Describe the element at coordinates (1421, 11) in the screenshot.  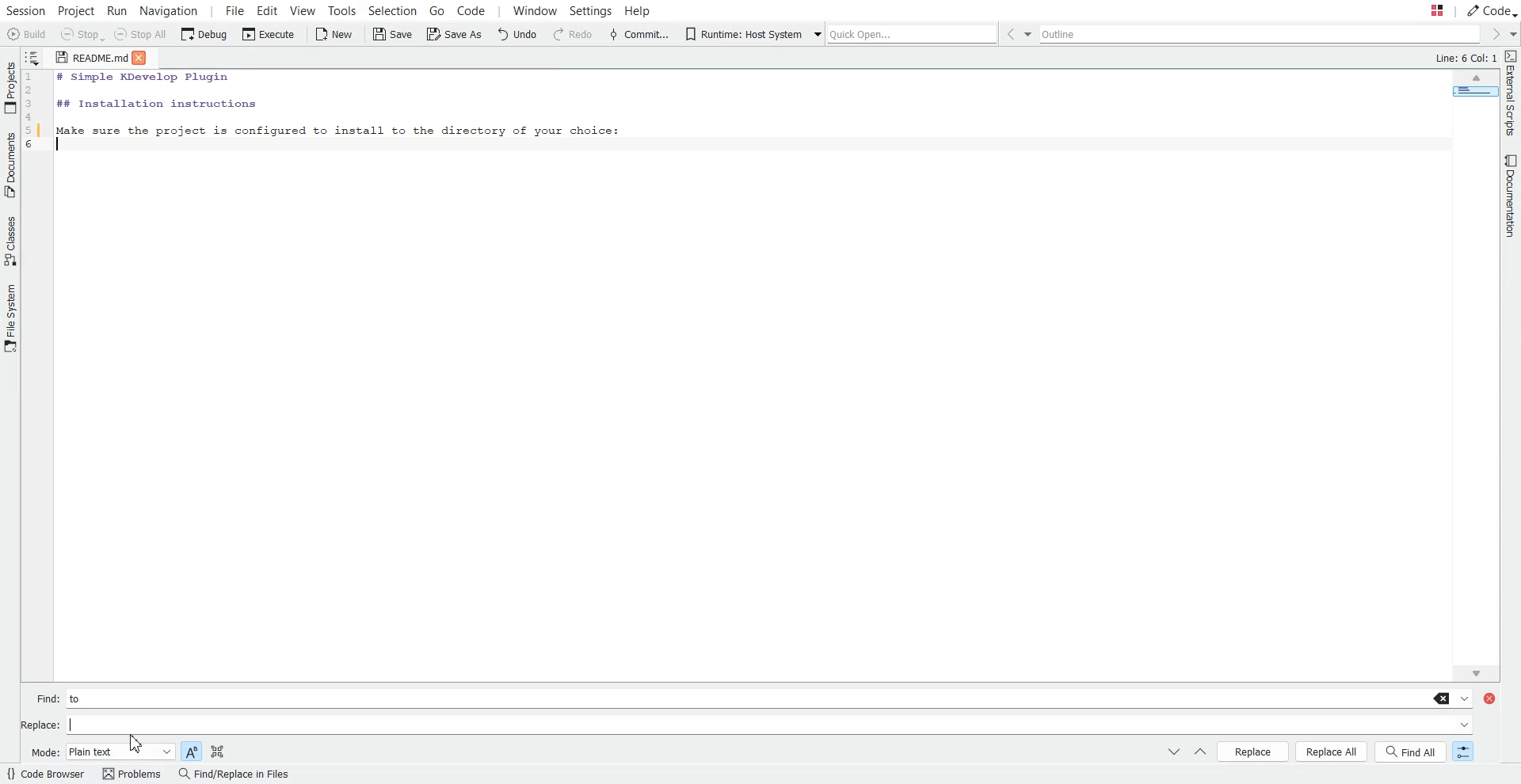
I see `Quick open` at that location.